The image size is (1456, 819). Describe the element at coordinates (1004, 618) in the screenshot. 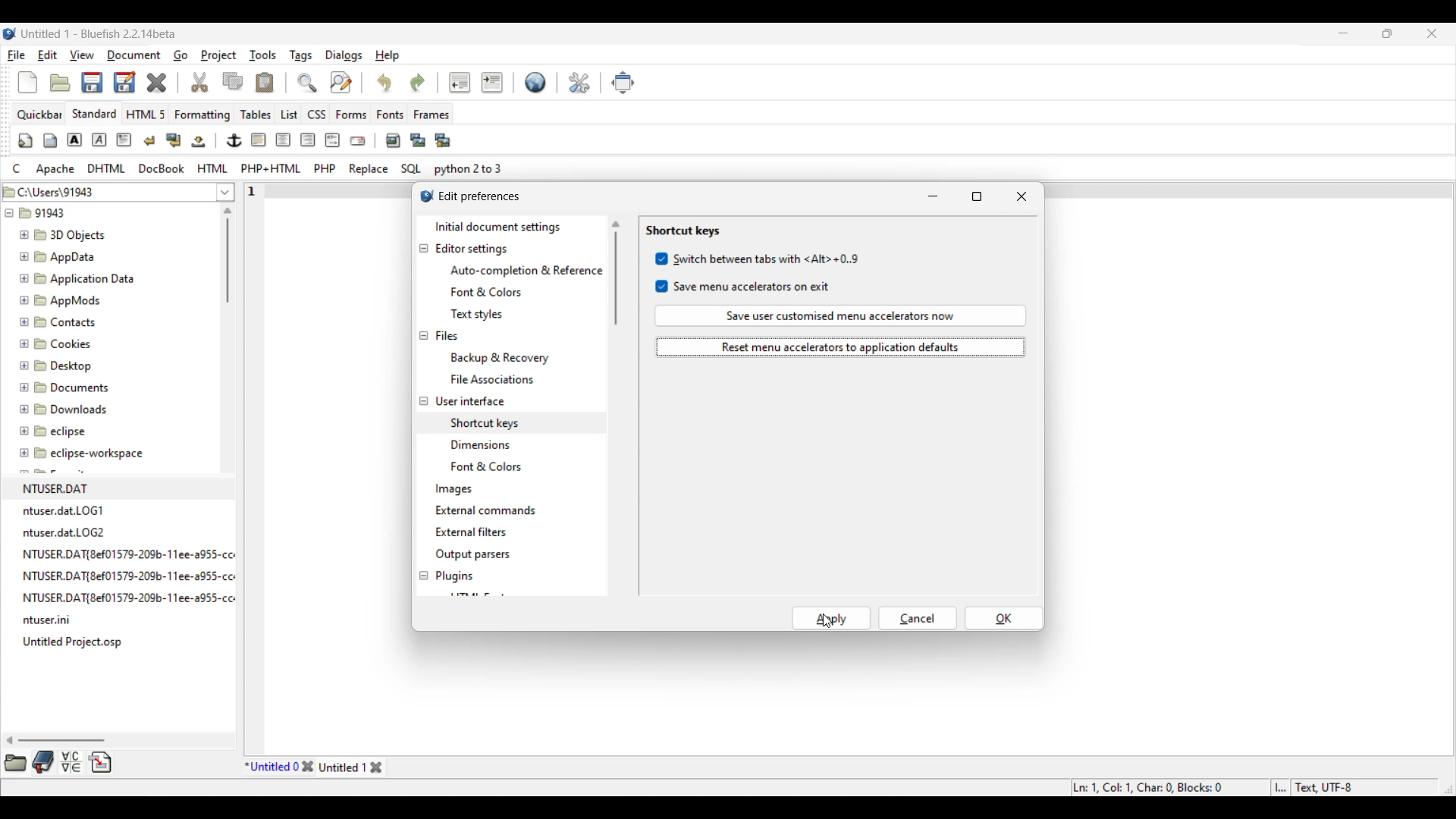

I see `OK` at that location.